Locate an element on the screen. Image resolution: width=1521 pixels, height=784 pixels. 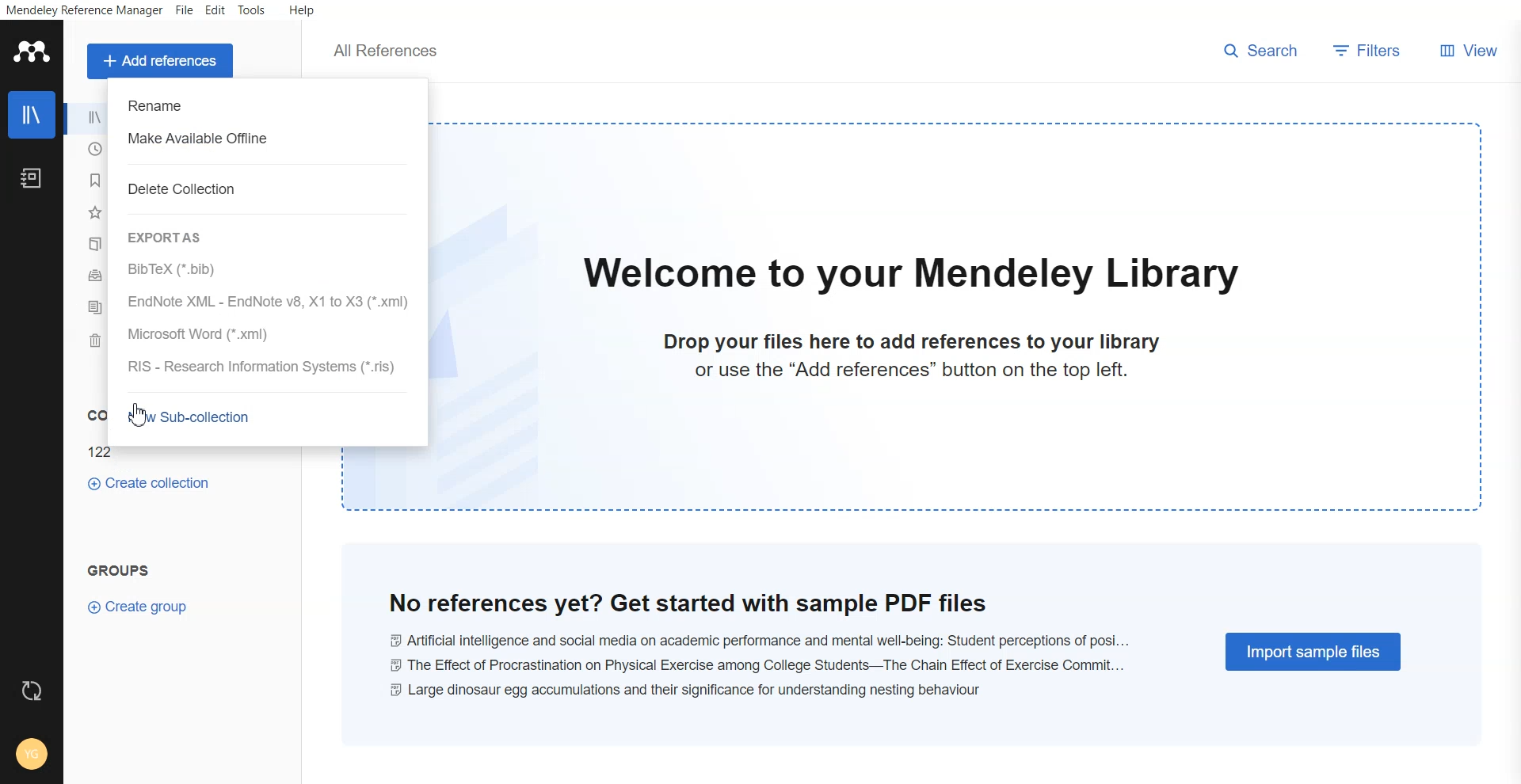
Mendeley reference manager is located at coordinates (86, 11).